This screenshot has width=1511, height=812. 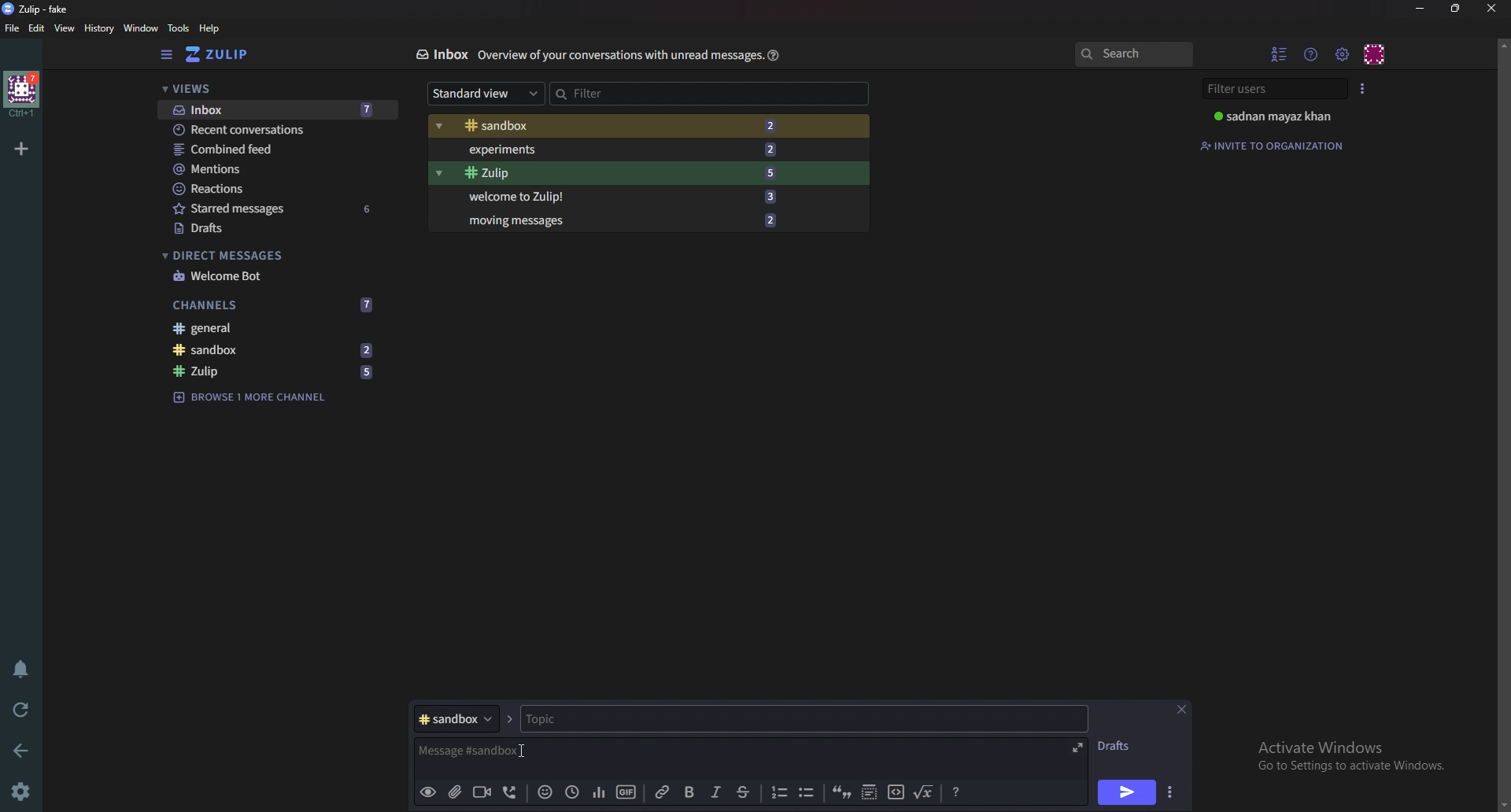 What do you see at coordinates (278, 131) in the screenshot?
I see `Recent conversations` at bounding box center [278, 131].